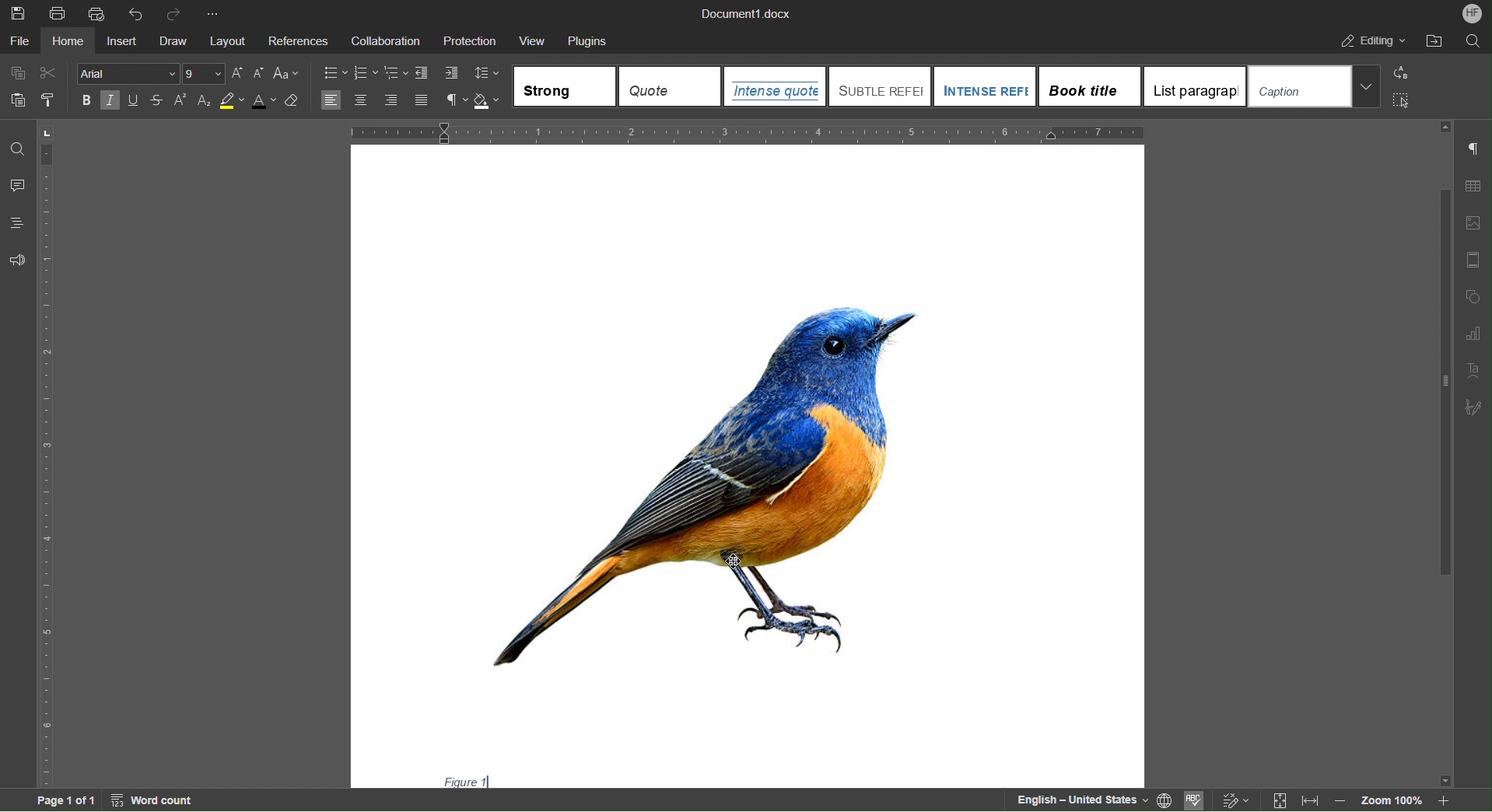 The width and height of the screenshot is (1492, 812). I want to click on Heading2, so click(879, 85).